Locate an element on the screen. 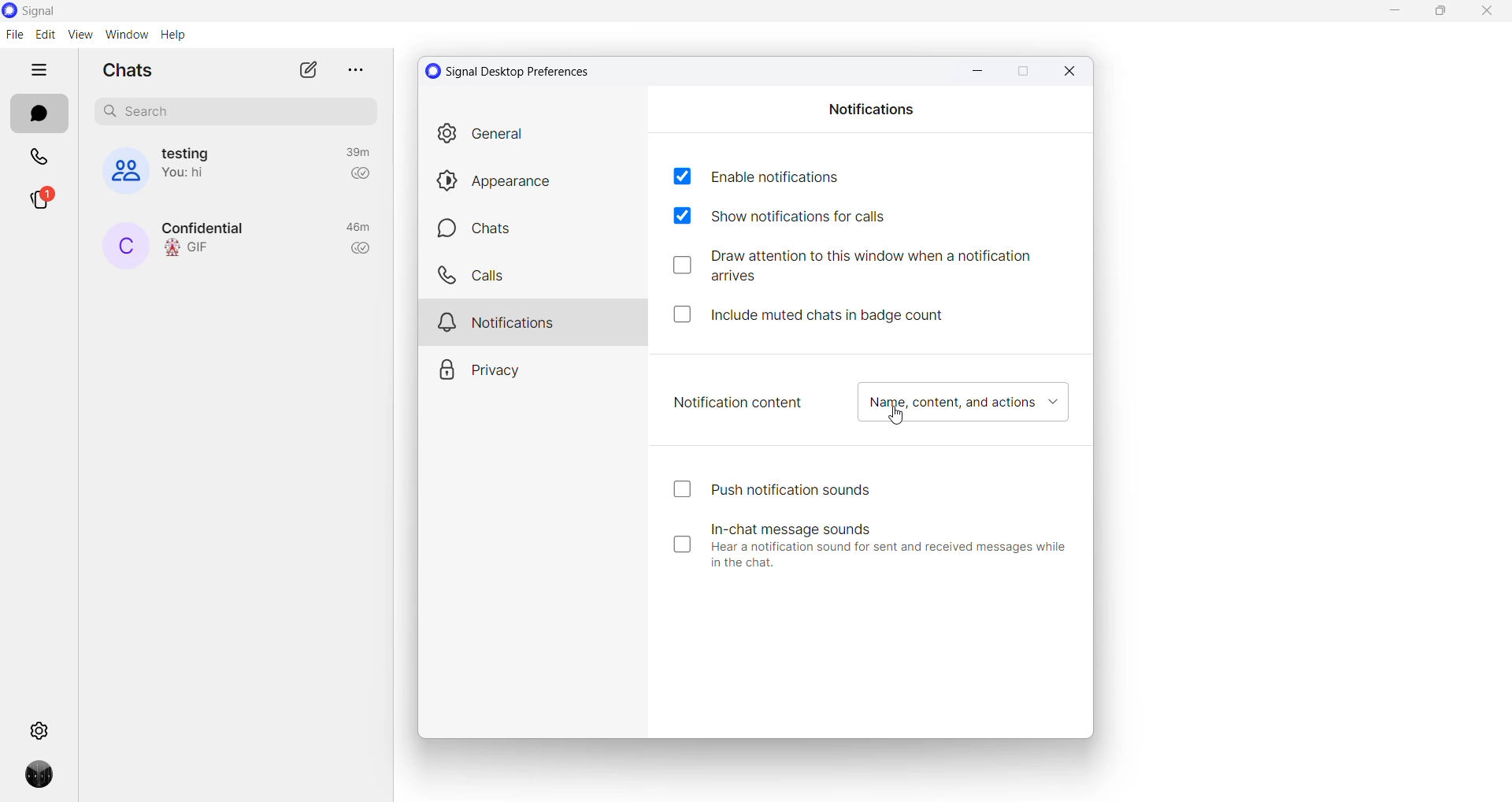 This screenshot has height=802, width=1512. last message is located at coordinates (192, 249).